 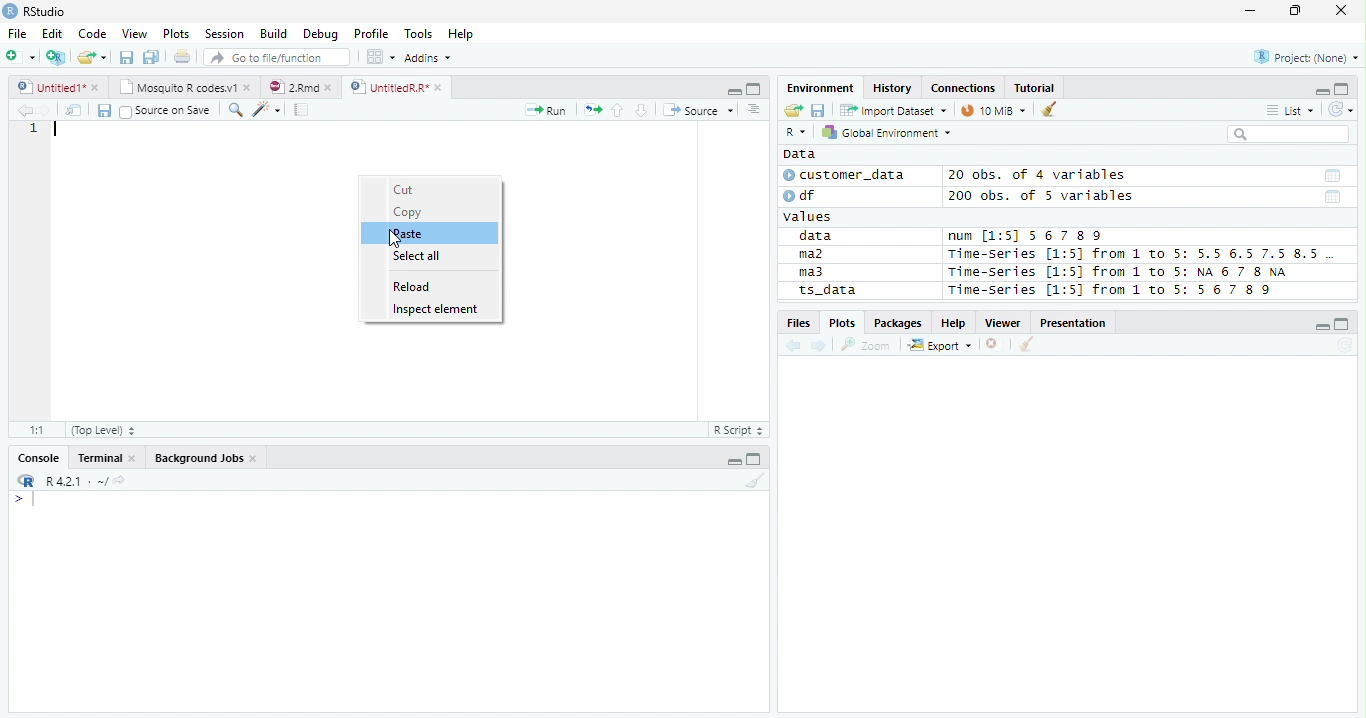 I want to click on List, so click(x=1289, y=111).